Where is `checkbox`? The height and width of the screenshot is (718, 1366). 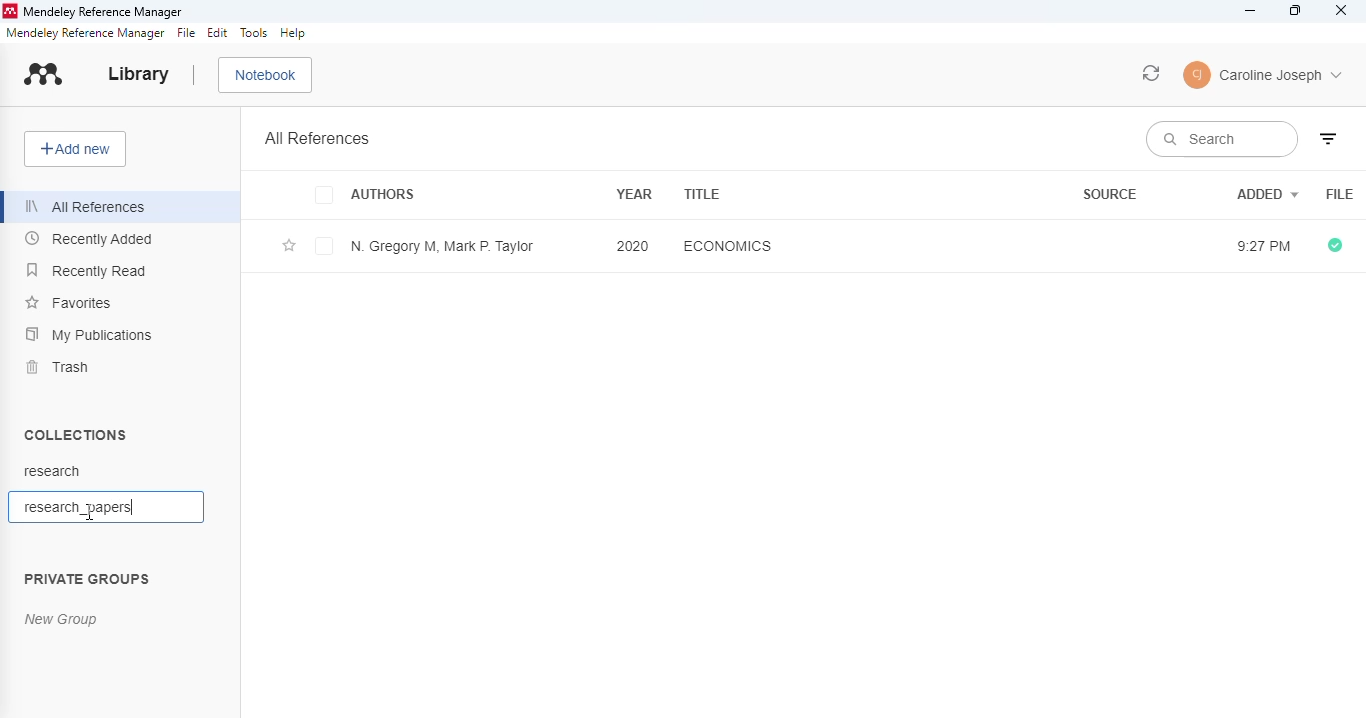
checkbox is located at coordinates (327, 196).